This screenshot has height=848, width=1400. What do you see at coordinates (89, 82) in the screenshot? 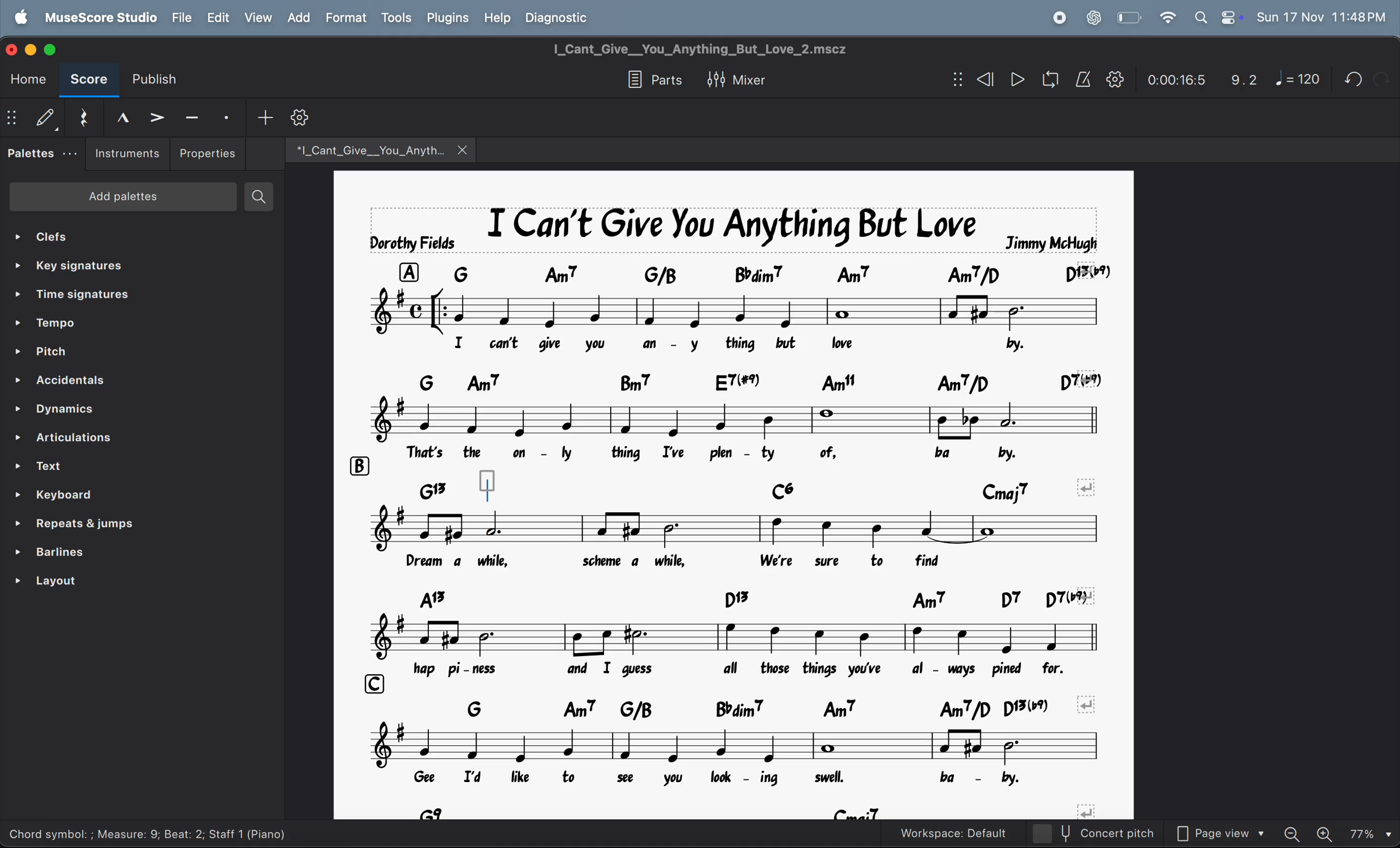
I see `score` at bounding box center [89, 82].